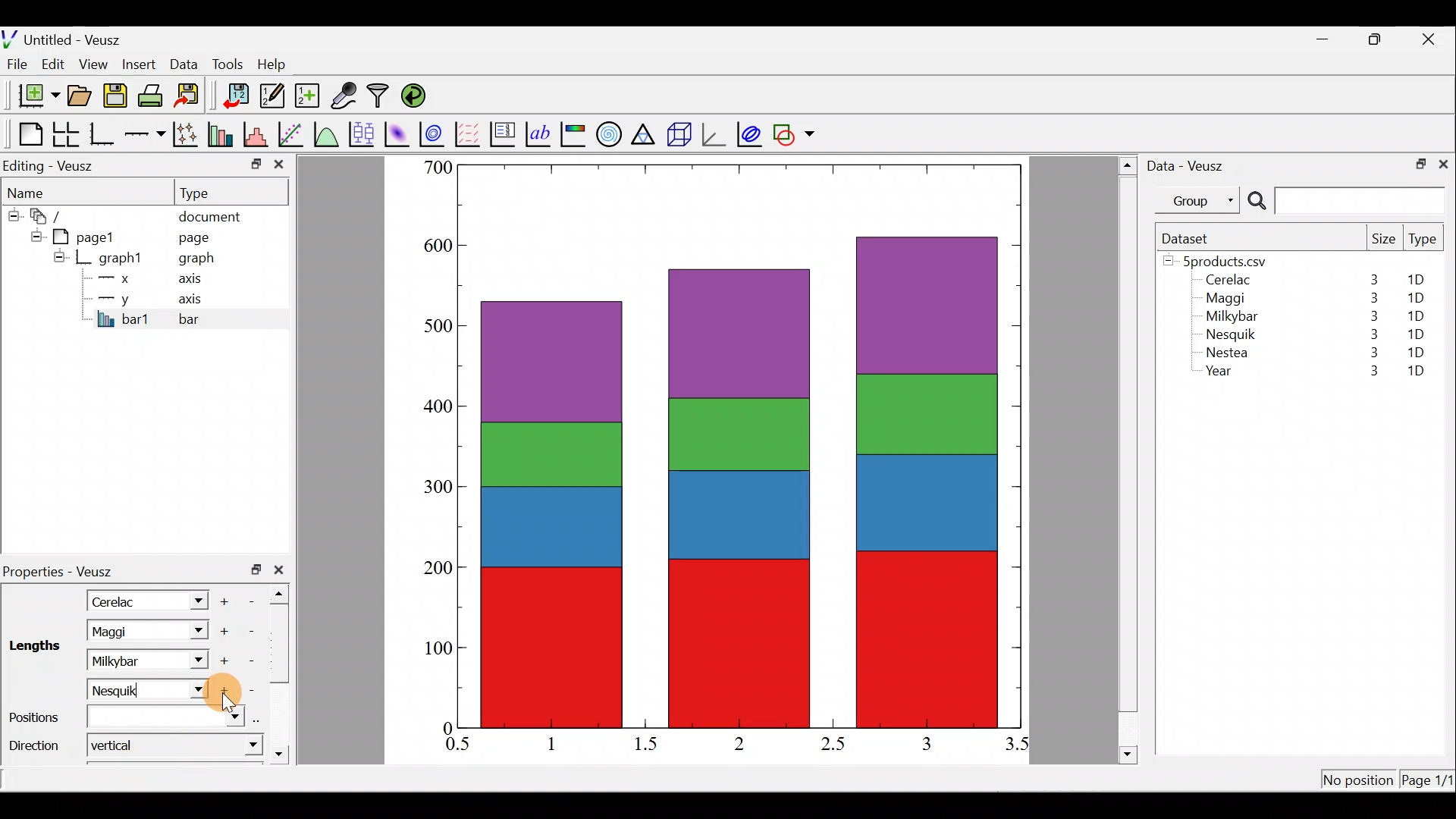 The width and height of the screenshot is (1456, 819). What do you see at coordinates (1128, 457) in the screenshot?
I see `scroll bar` at bounding box center [1128, 457].